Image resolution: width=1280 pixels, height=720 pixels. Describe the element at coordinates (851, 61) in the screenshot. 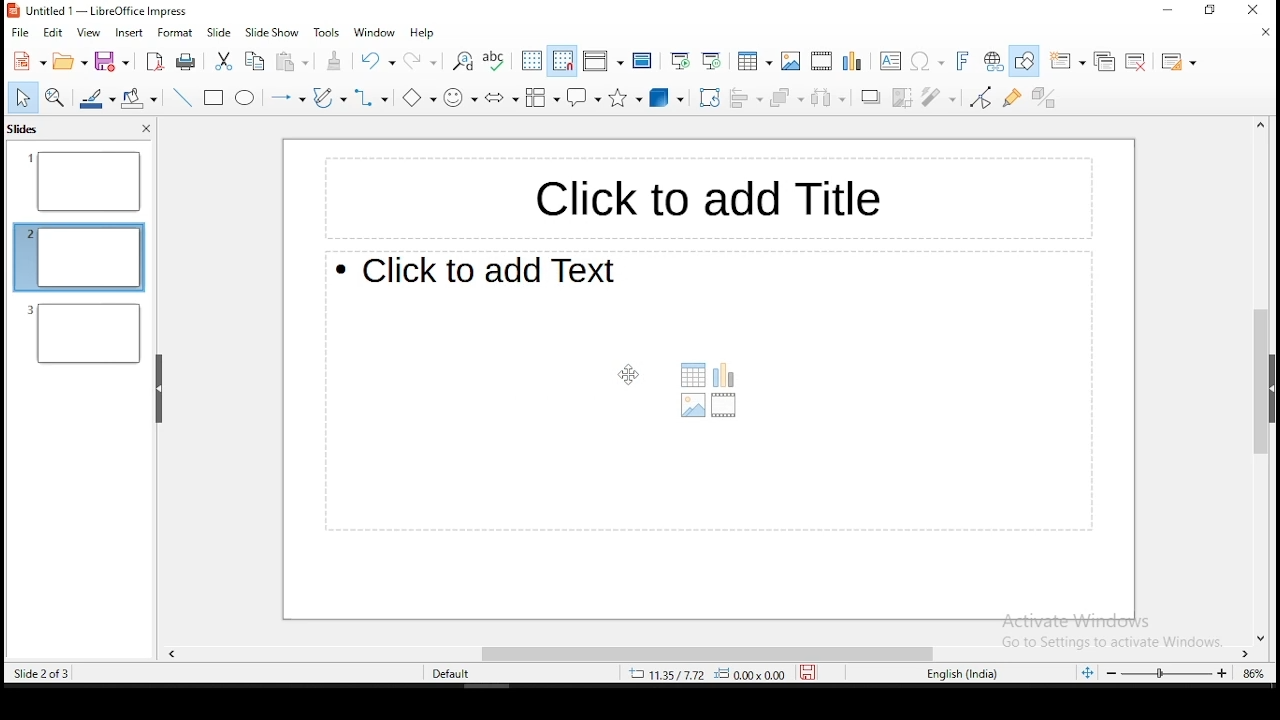

I see `insert chart` at that location.